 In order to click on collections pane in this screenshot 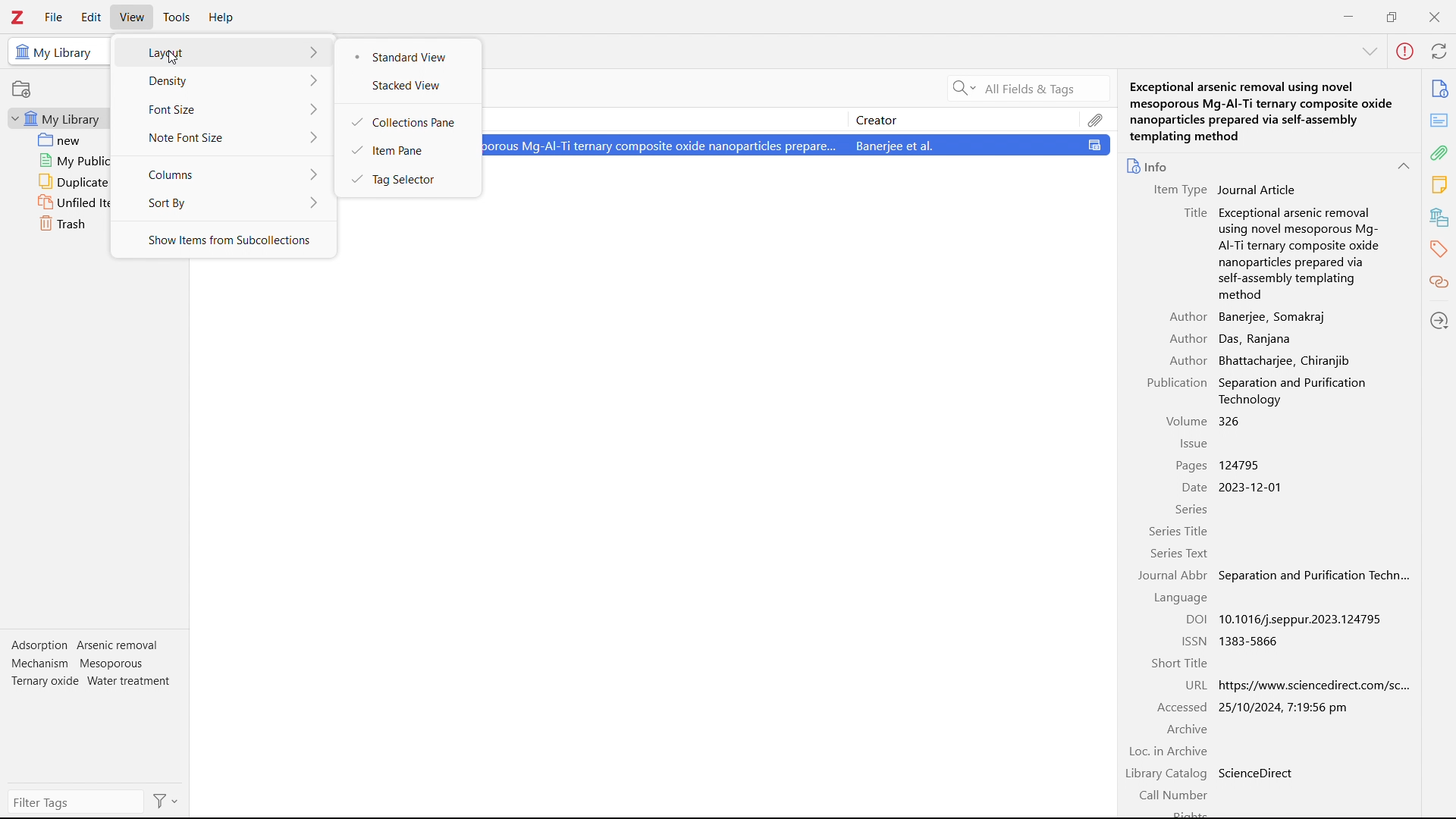, I will do `click(407, 121)`.